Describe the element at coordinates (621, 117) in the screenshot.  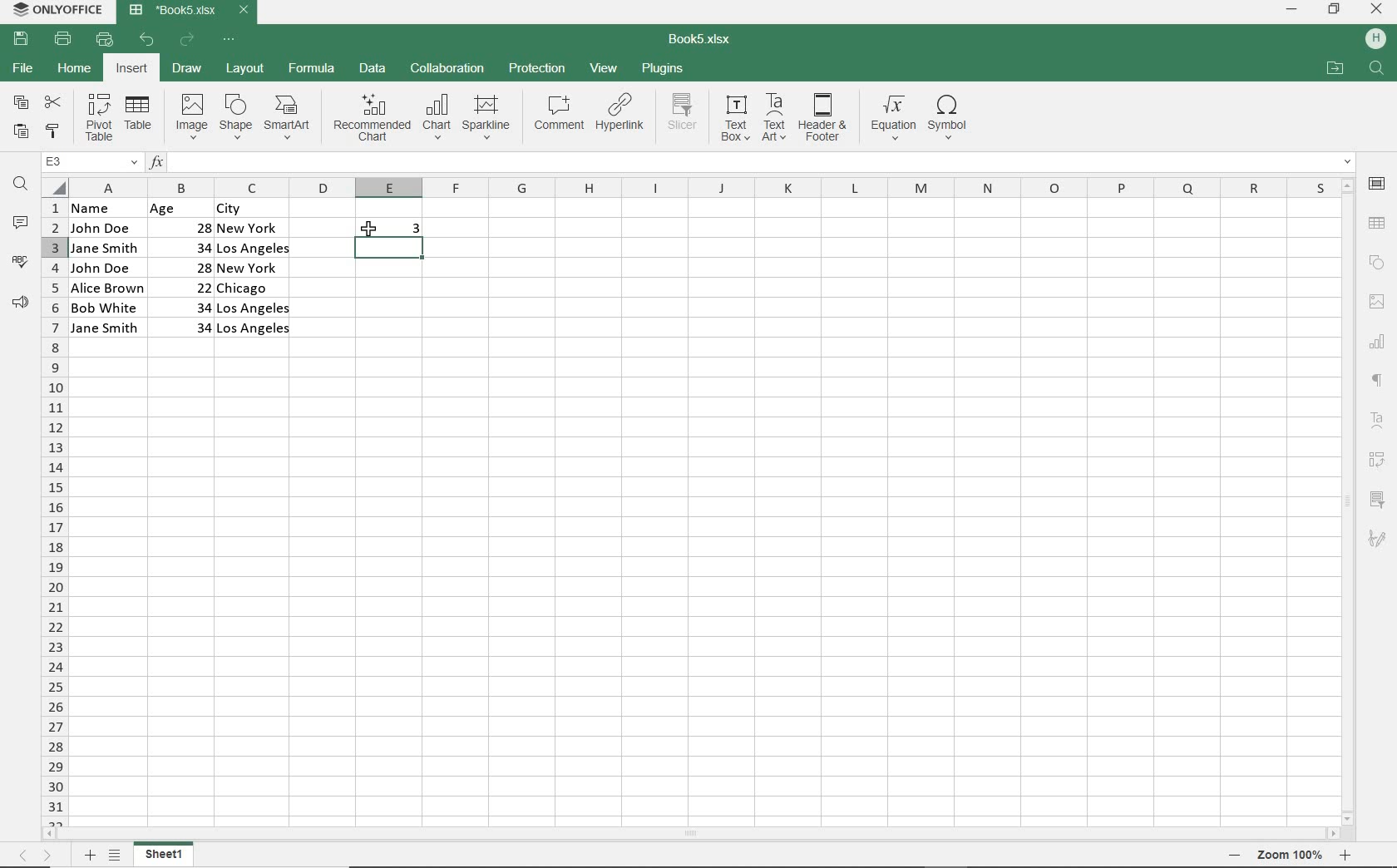
I see `HYPERLINK` at that location.